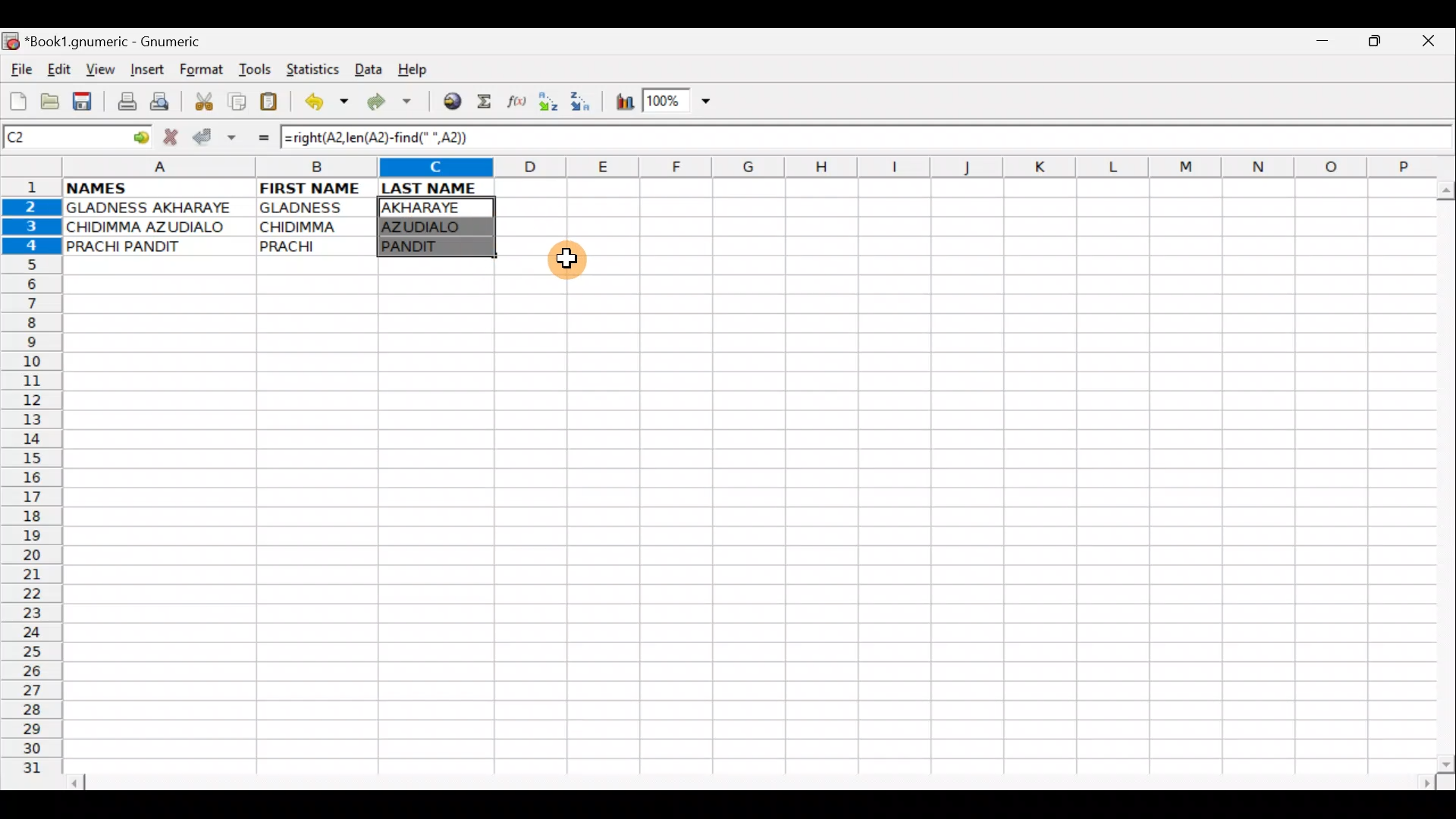 Image resolution: width=1456 pixels, height=819 pixels. I want to click on Cursor, so click(573, 264).